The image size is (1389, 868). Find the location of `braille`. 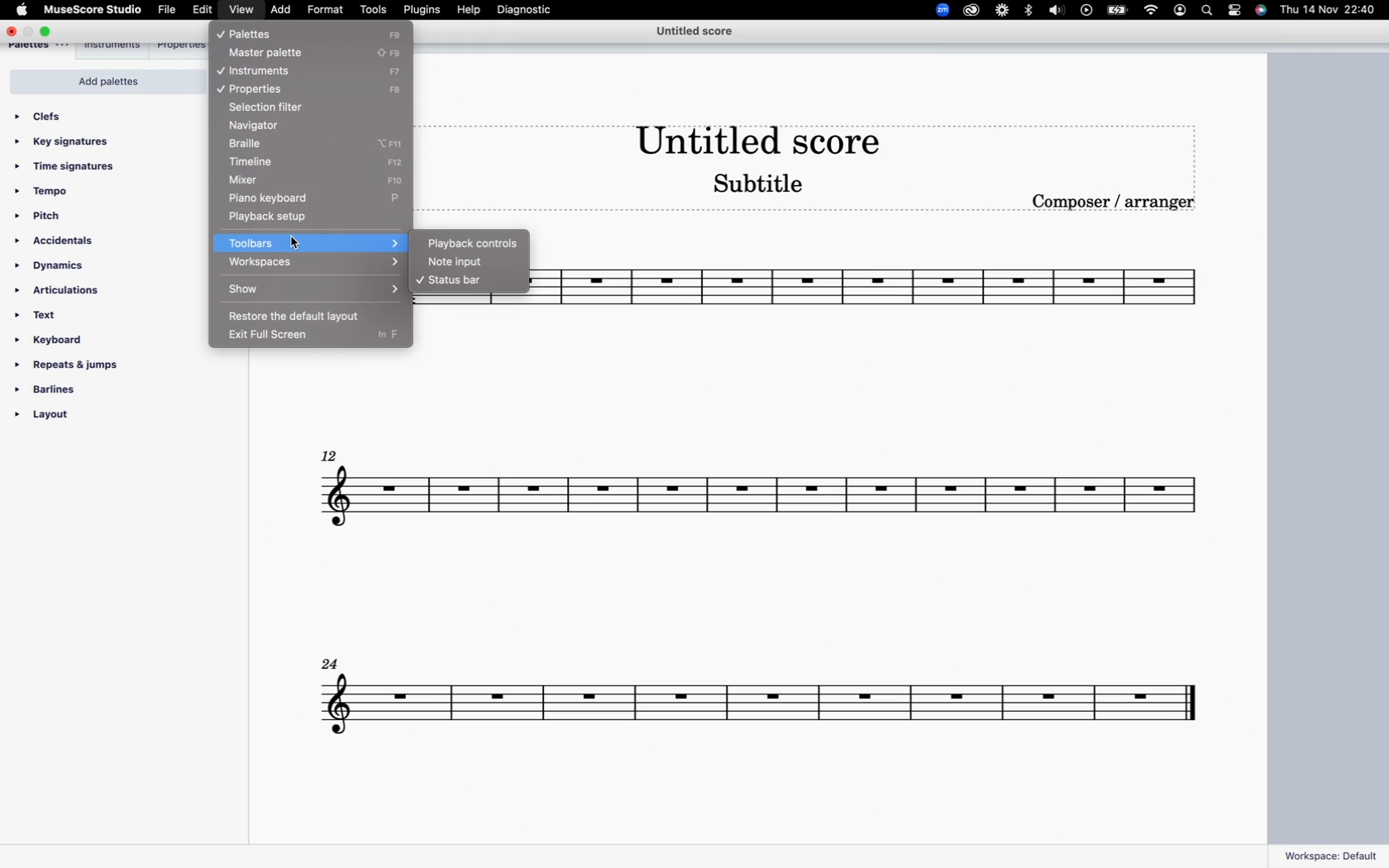

braille is located at coordinates (261, 142).